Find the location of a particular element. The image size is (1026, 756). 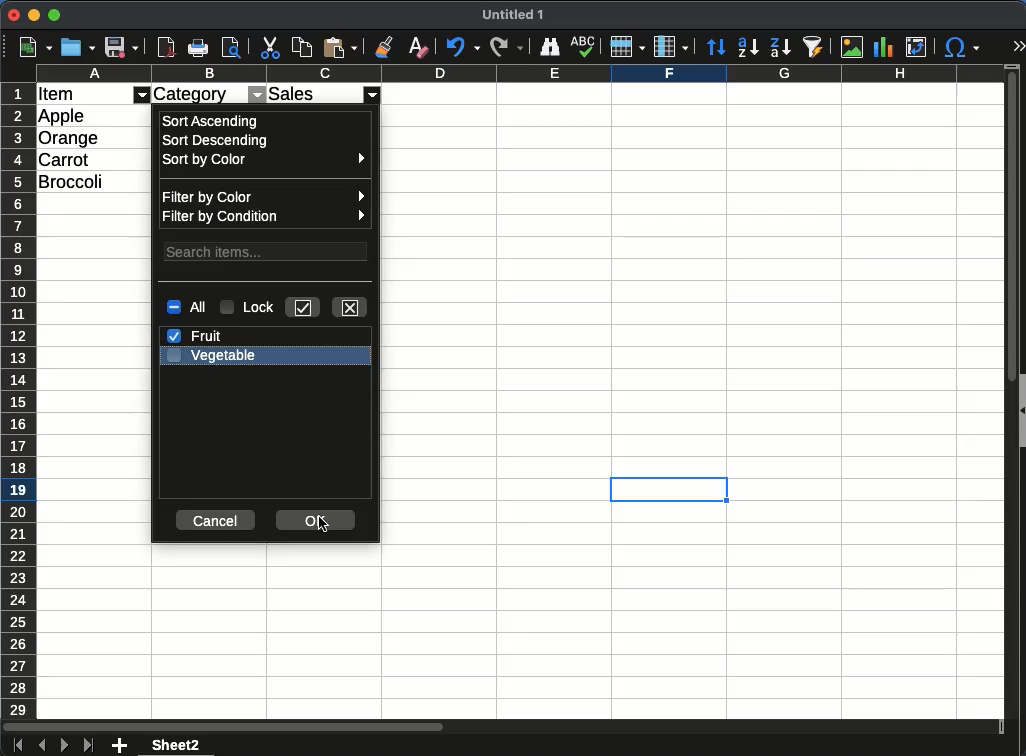

paste is located at coordinates (340, 48).